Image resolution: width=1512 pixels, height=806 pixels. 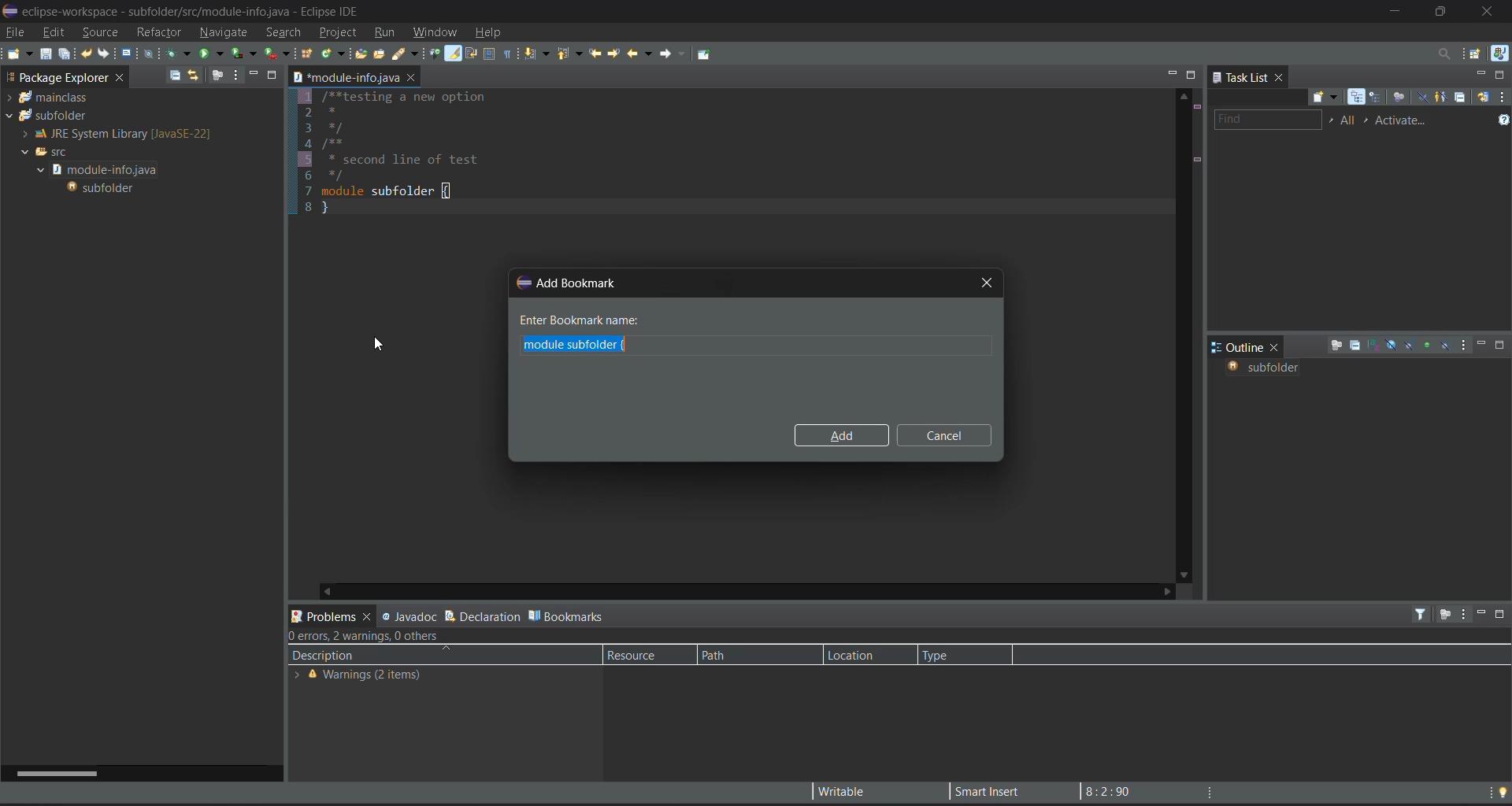 I want to click on maximize, so click(x=1501, y=75).